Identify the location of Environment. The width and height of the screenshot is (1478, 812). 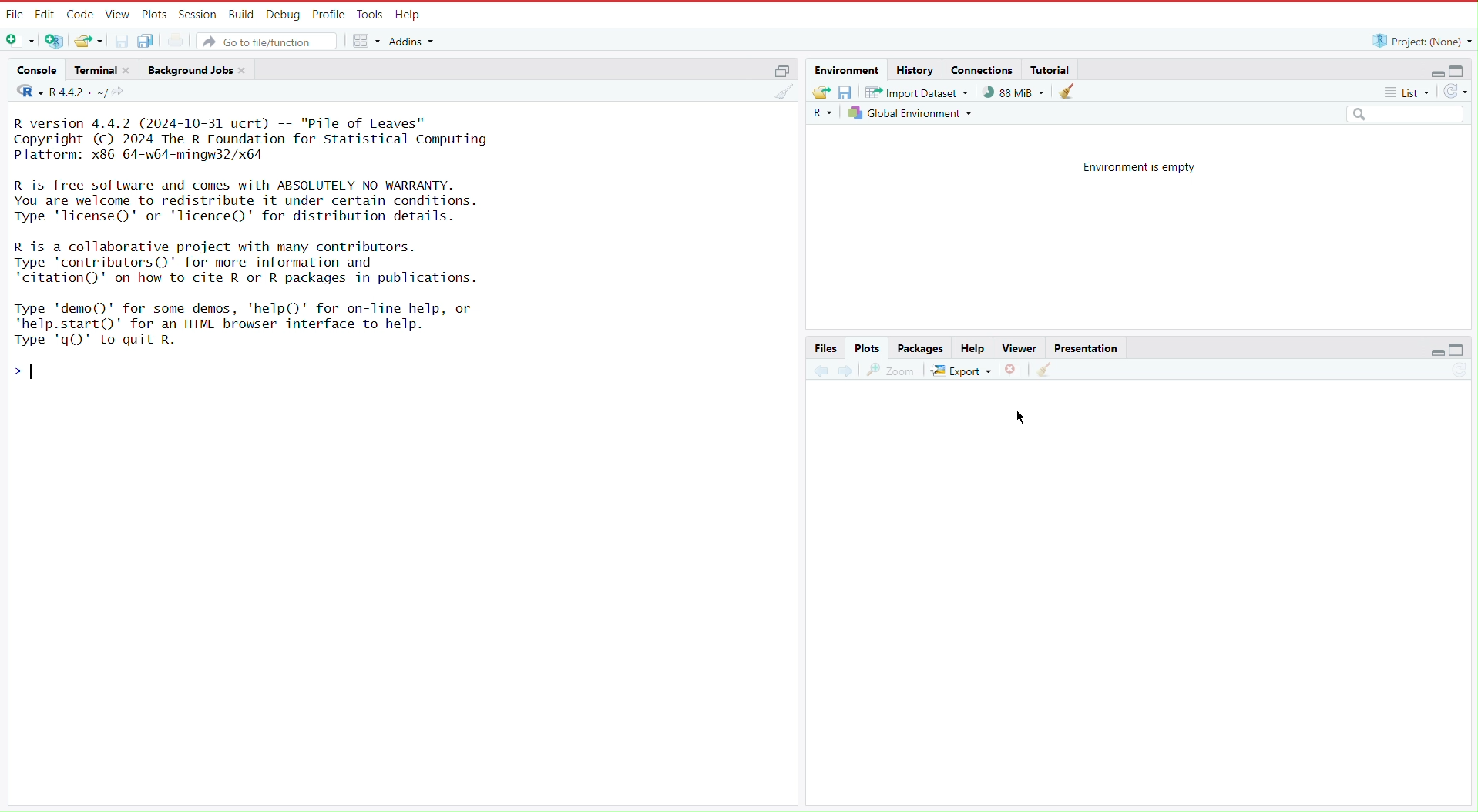
(849, 70).